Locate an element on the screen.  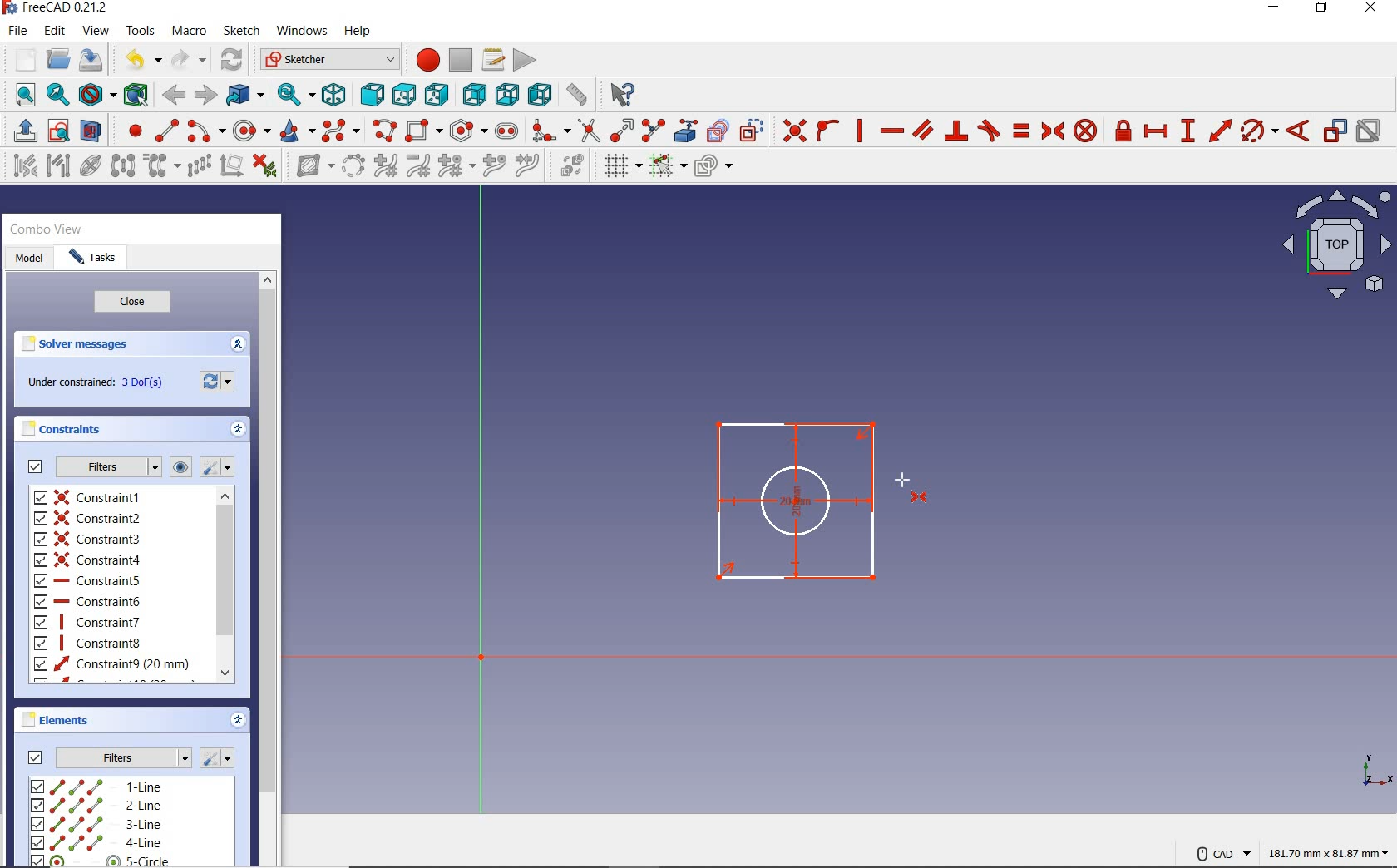
delete all constraints is located at coordinates (266, 167).